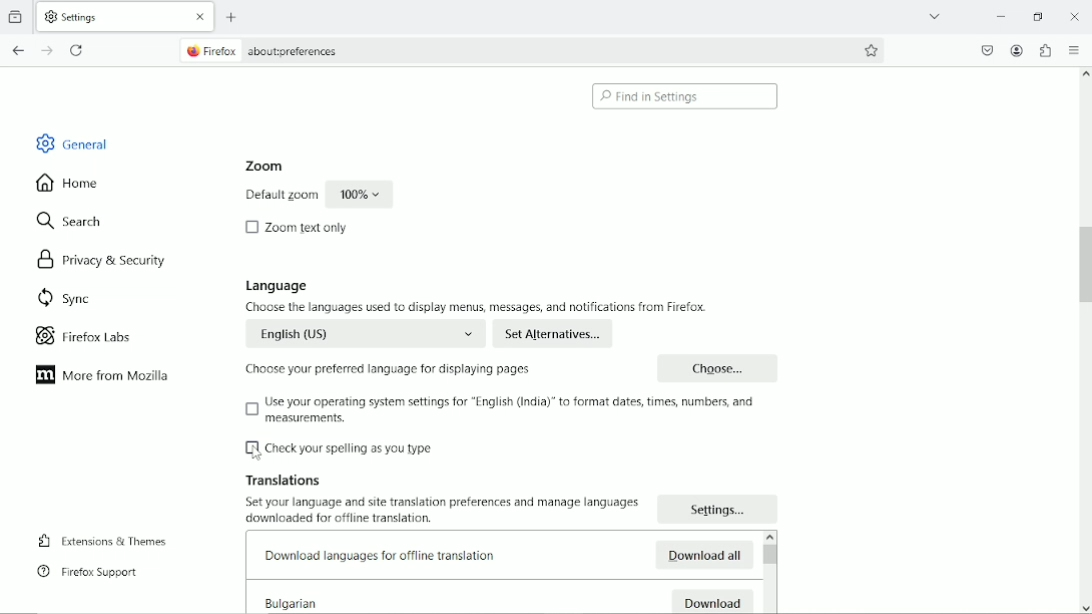 The image size is (1092, 614). I want to click on Use your operating system settings for ''English (India)' to format dates, times,numbers and measurements., so click(499, 410).